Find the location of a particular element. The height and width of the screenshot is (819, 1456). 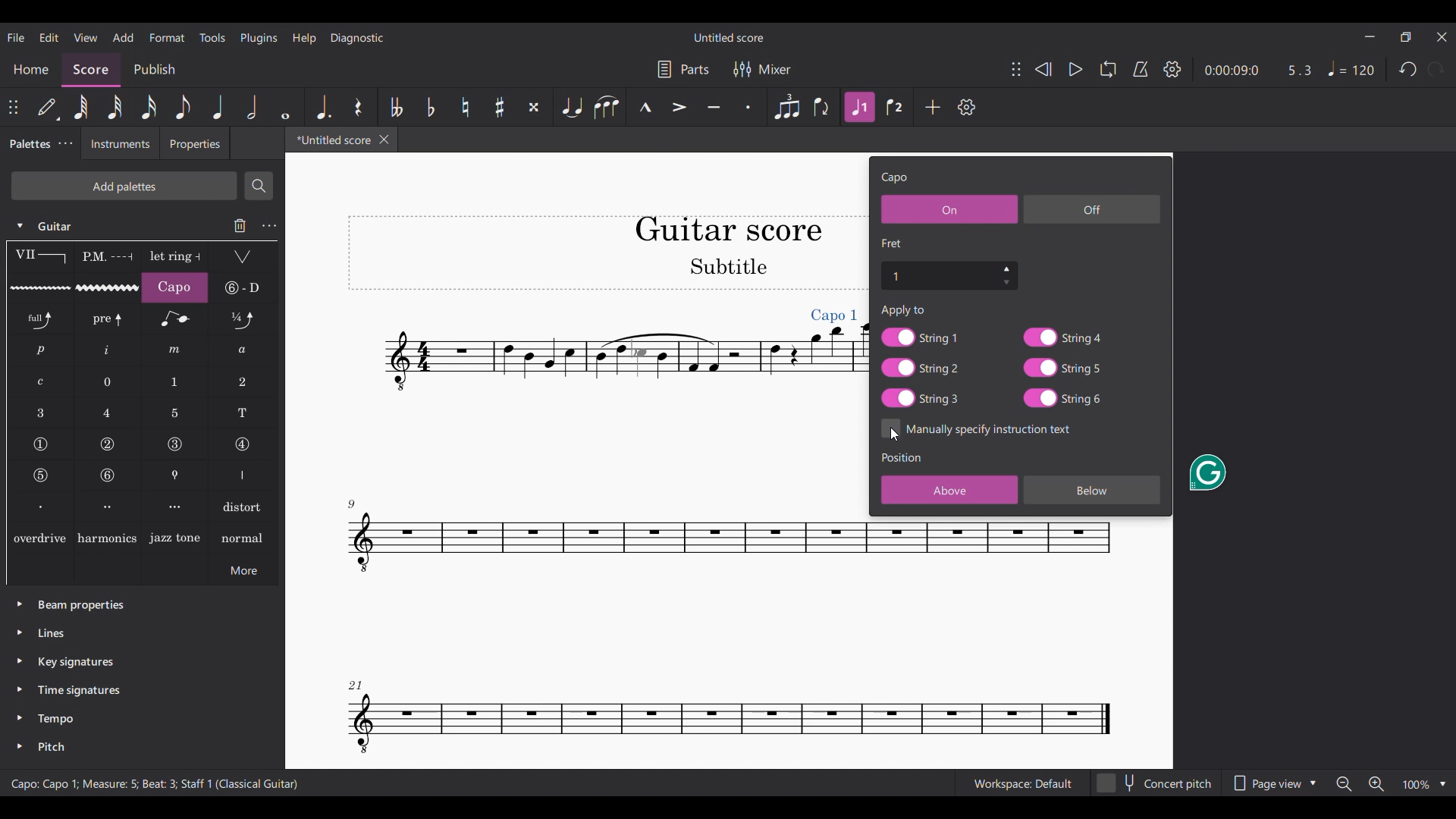

Tie is located at coordinates (570, 107).